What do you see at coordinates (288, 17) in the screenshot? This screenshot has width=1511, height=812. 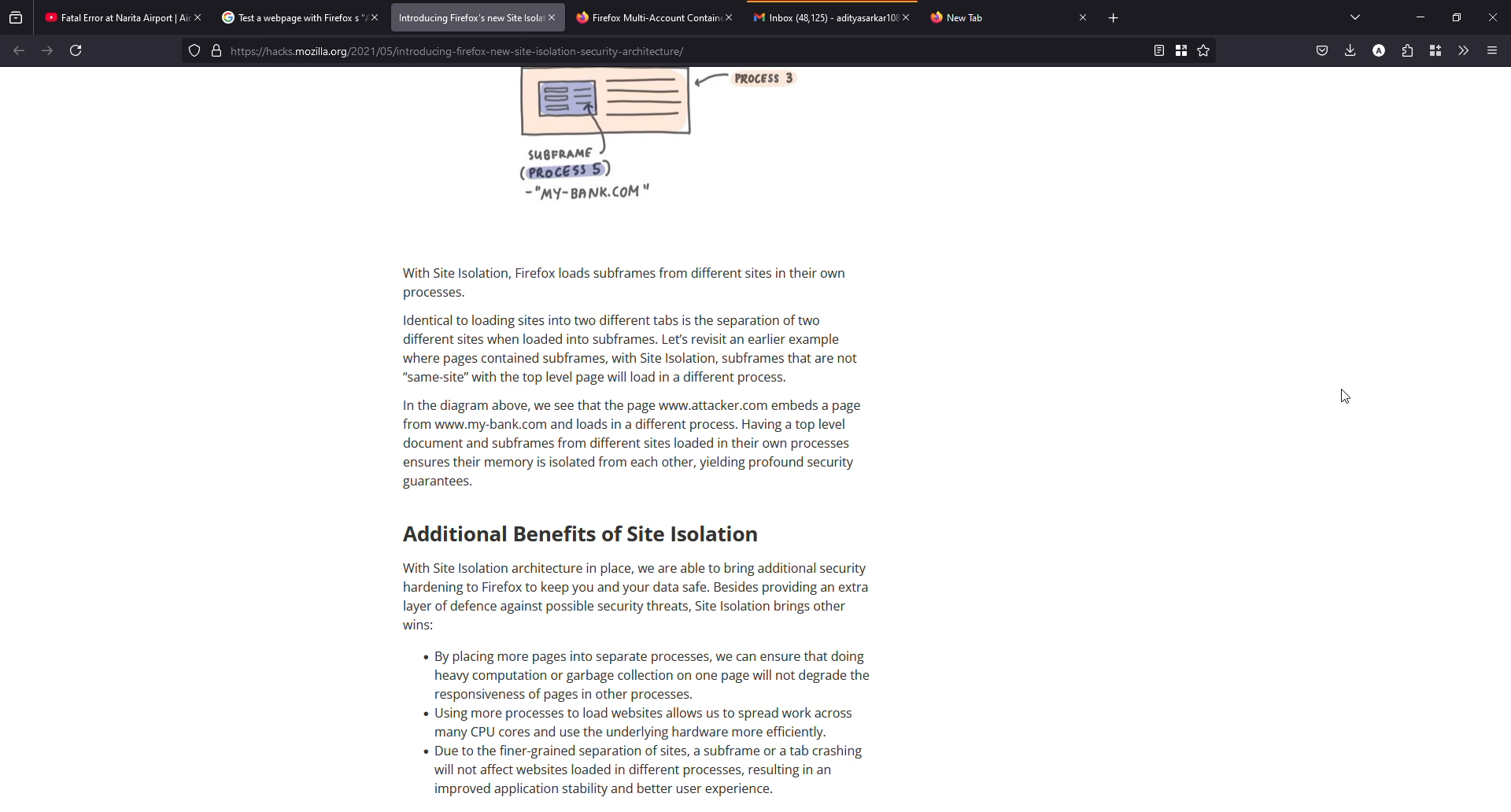 I see `Test a webpage with Firefox` at bounding box center [288, 17].